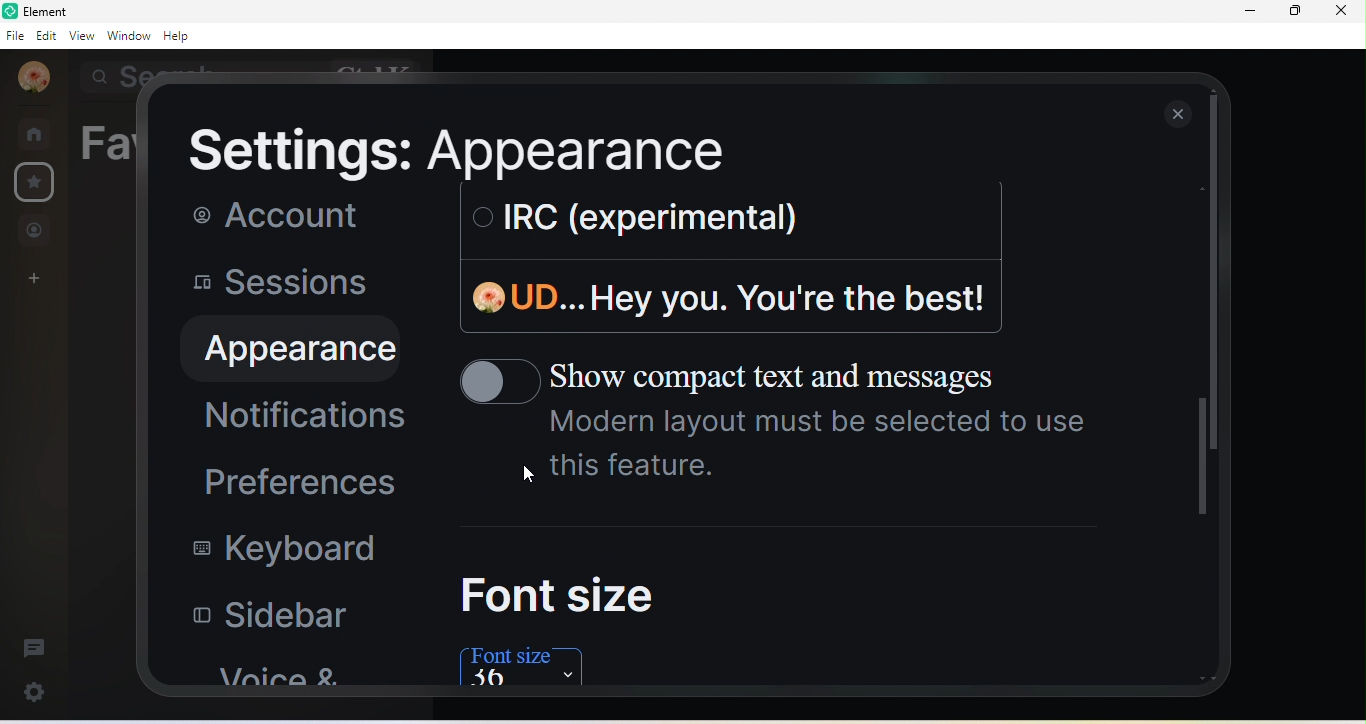 Image resolution: width=1366 pixels, height=724 pixels. I want to click on cursor, so click(528, 476).